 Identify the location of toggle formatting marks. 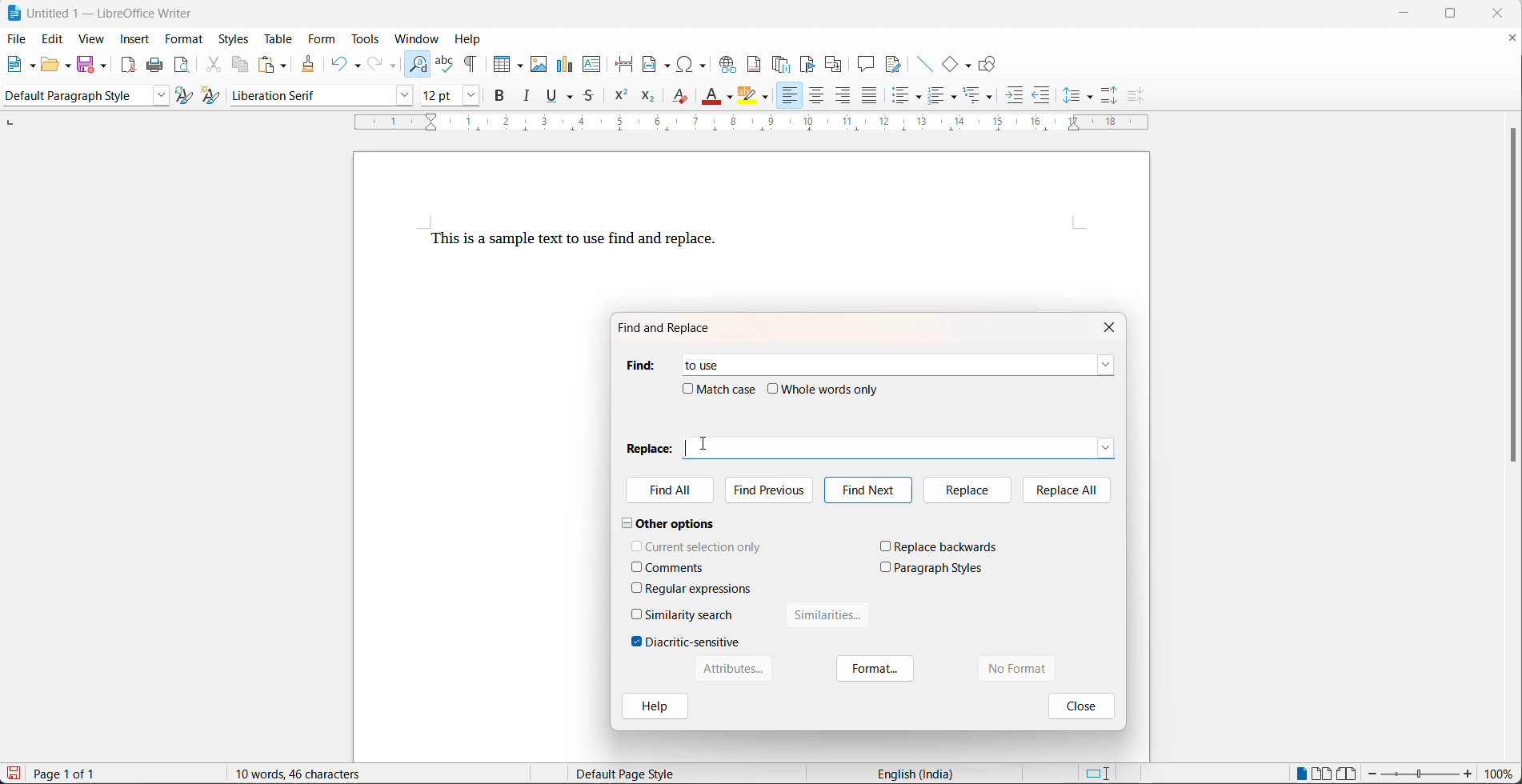
(475, 59).